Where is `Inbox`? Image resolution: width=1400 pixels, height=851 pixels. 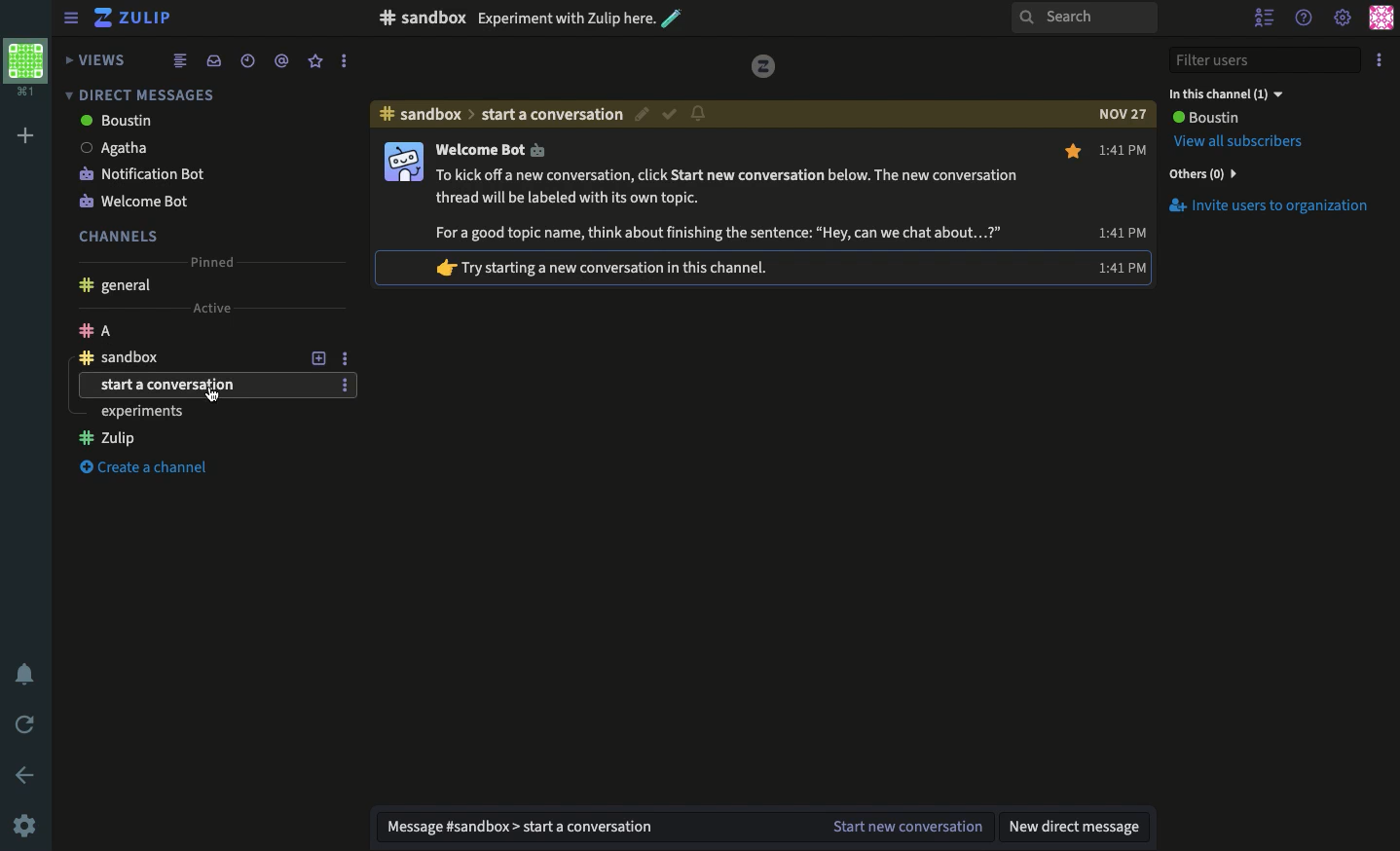
Inbox is located at coordinates (213, 60).